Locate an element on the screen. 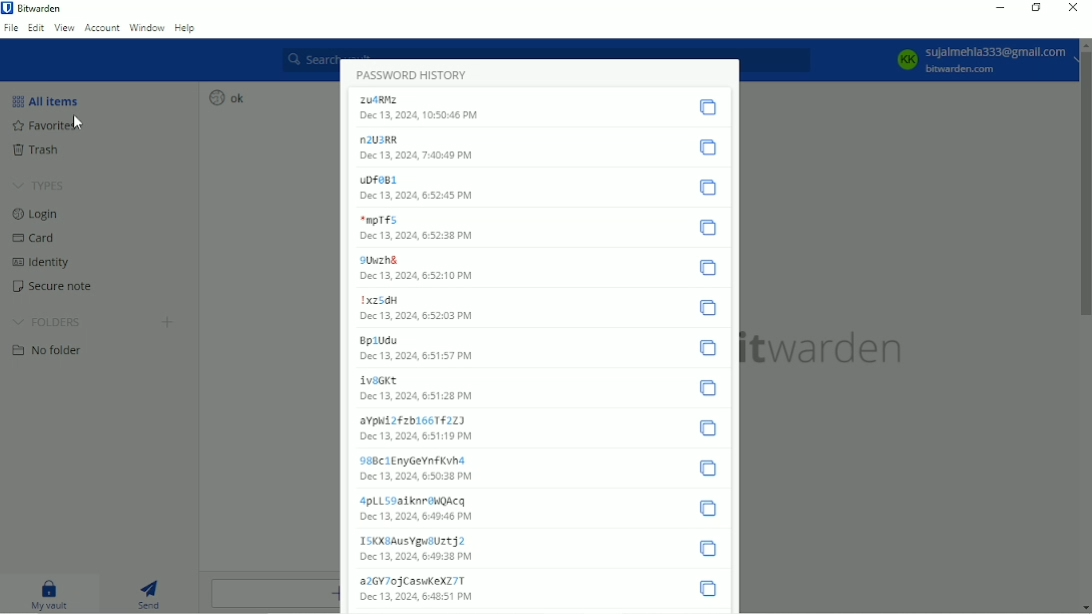 The width and height of the screenshot is (1092, 614). Folders is located at coordinates (49, 322).